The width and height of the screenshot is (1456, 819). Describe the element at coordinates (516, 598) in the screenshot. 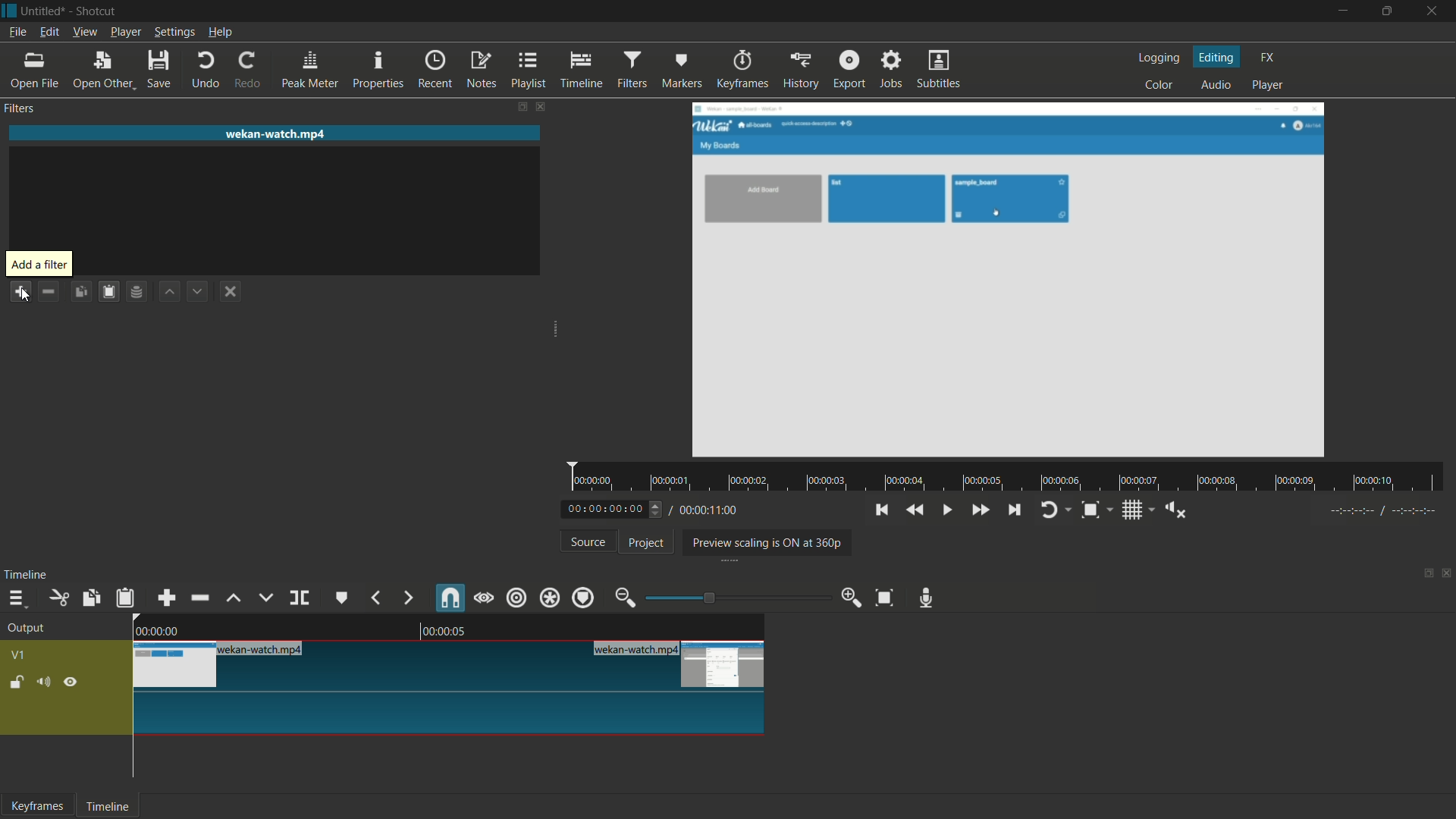

I see `ripple` at that location.